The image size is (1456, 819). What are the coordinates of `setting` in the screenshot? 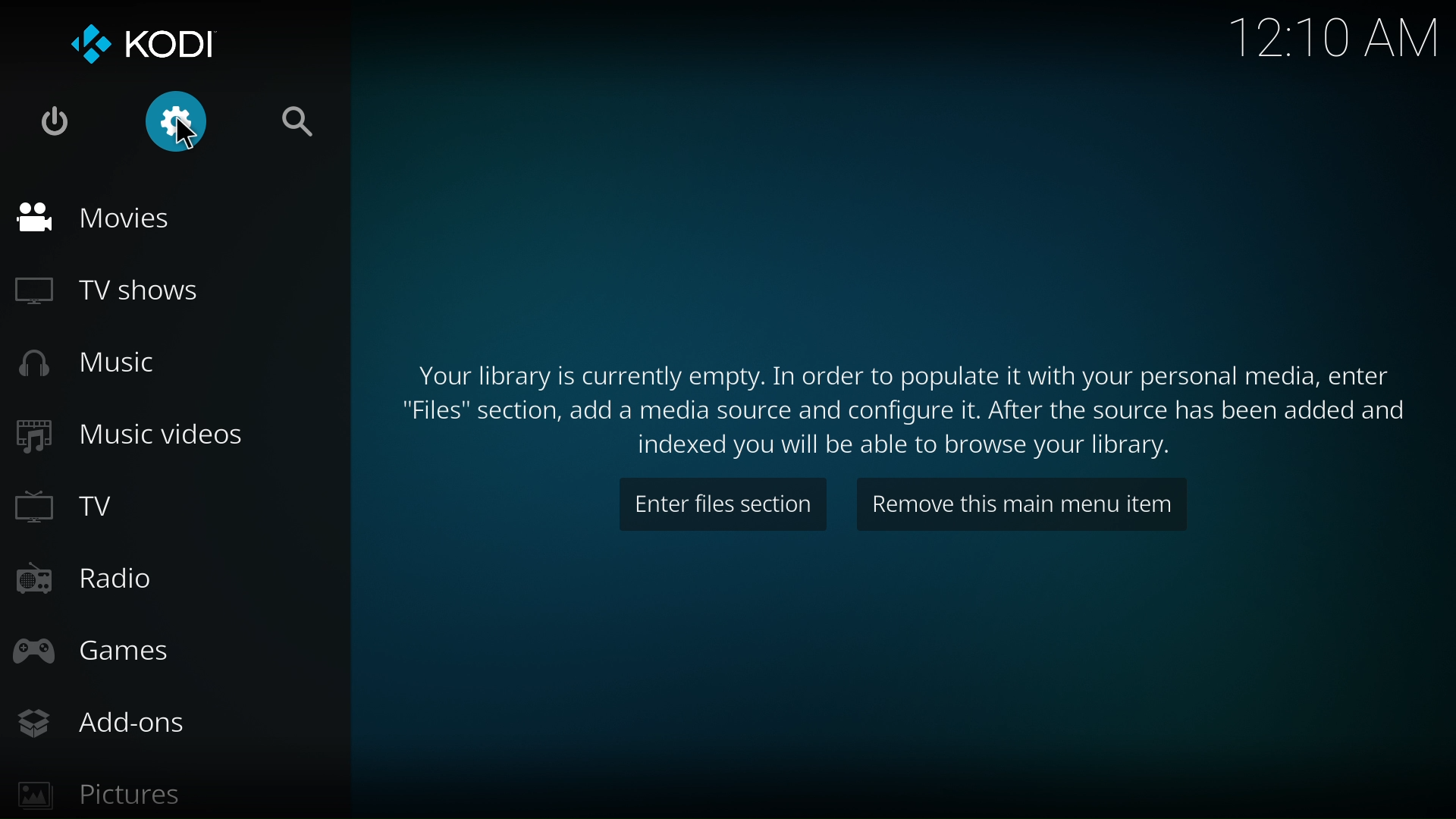 It's located at (177, 124).